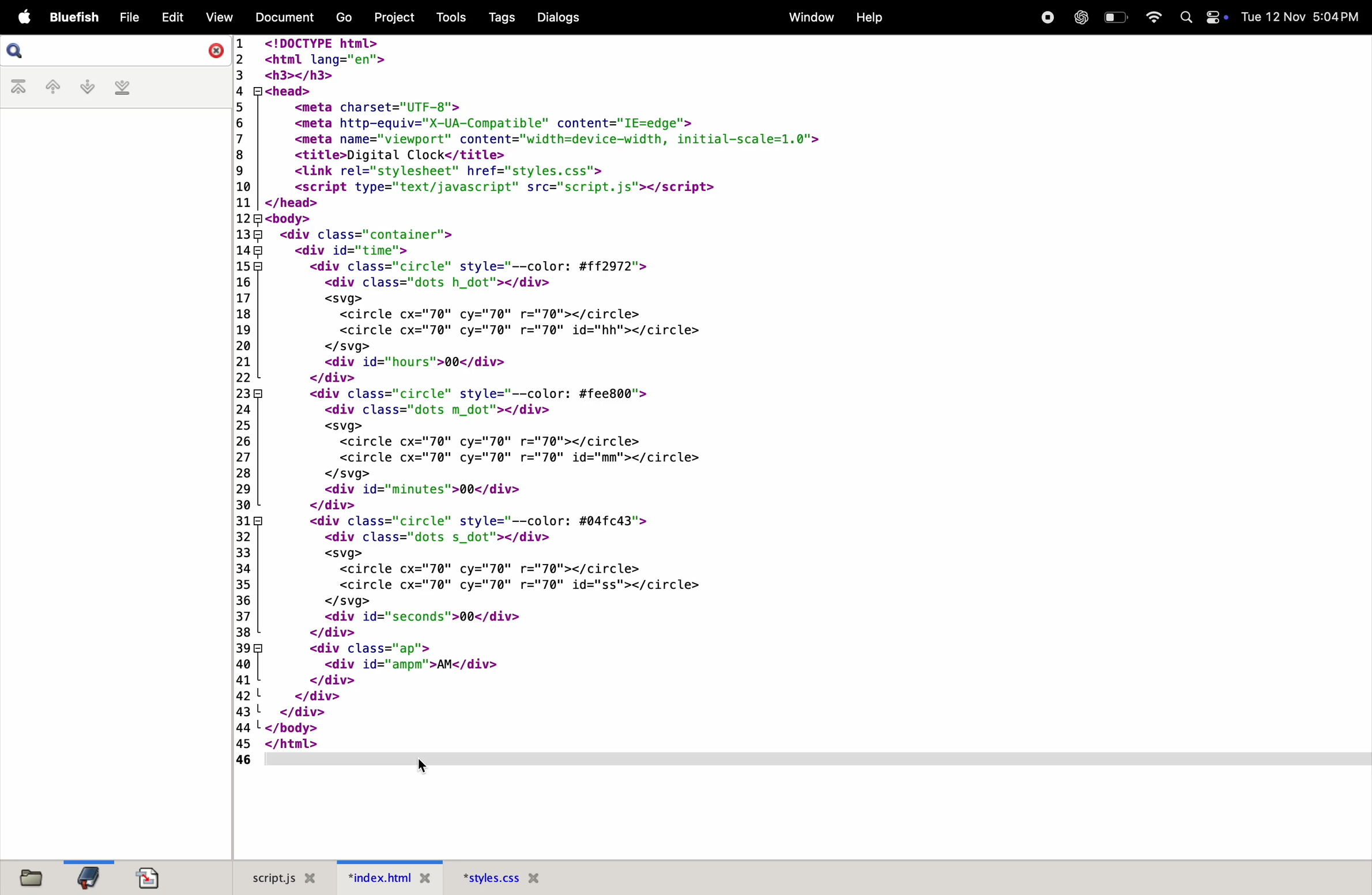  Describe the element at coordinates (214, 51) in the screenshot. I see `close` at that location.